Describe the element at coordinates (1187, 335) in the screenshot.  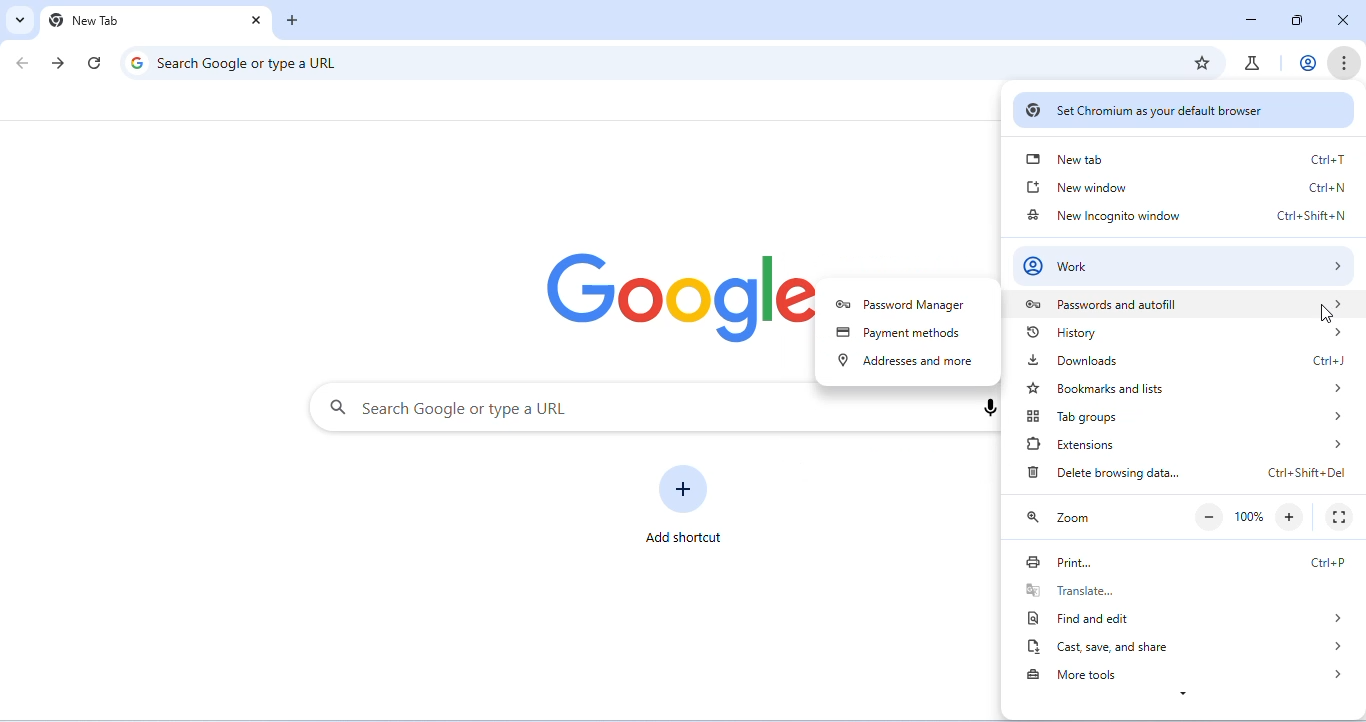
I see `history` at that location.